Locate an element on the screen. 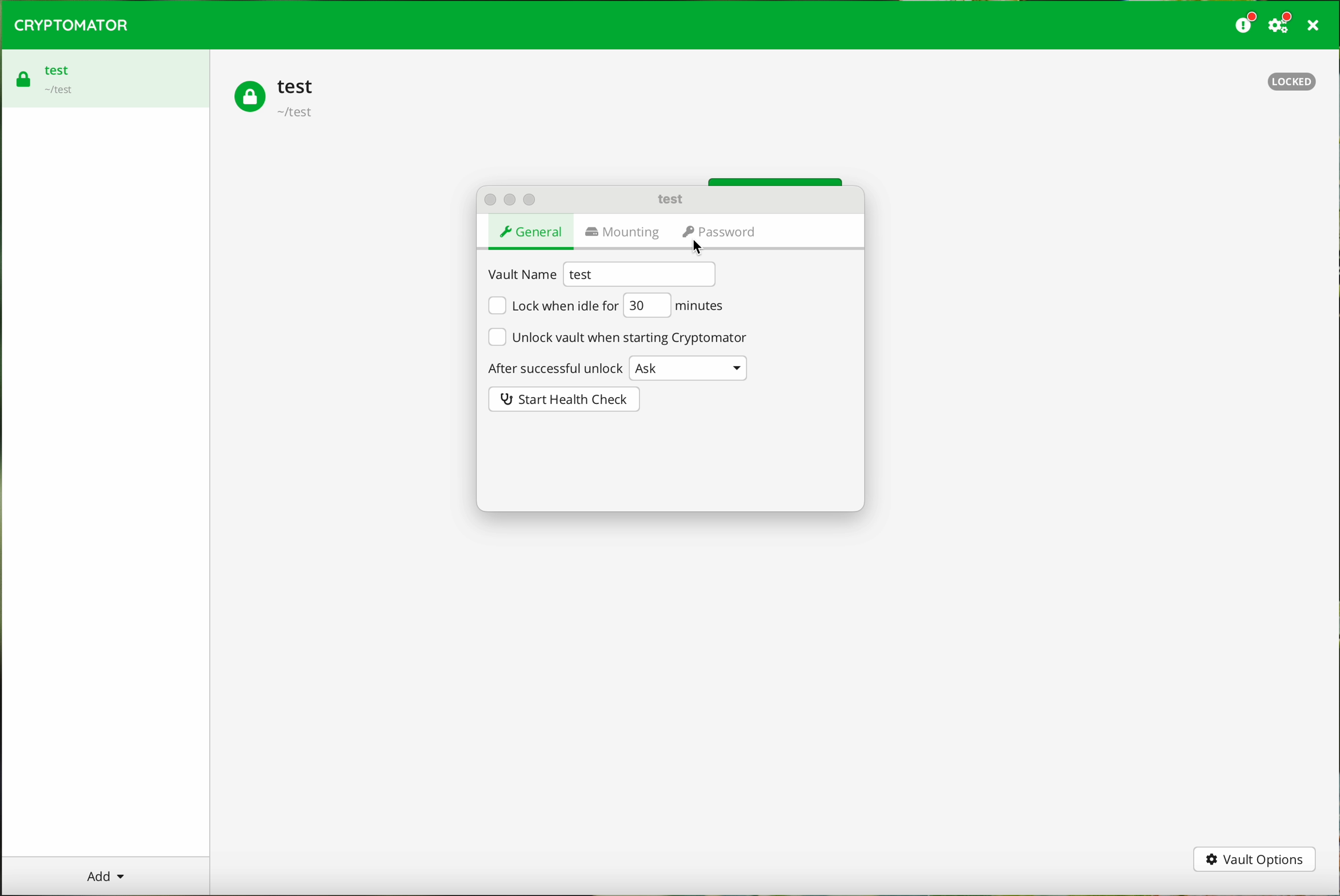 This screenshot has width=1340, height=896. donate is located at coordinates (1246, 23).